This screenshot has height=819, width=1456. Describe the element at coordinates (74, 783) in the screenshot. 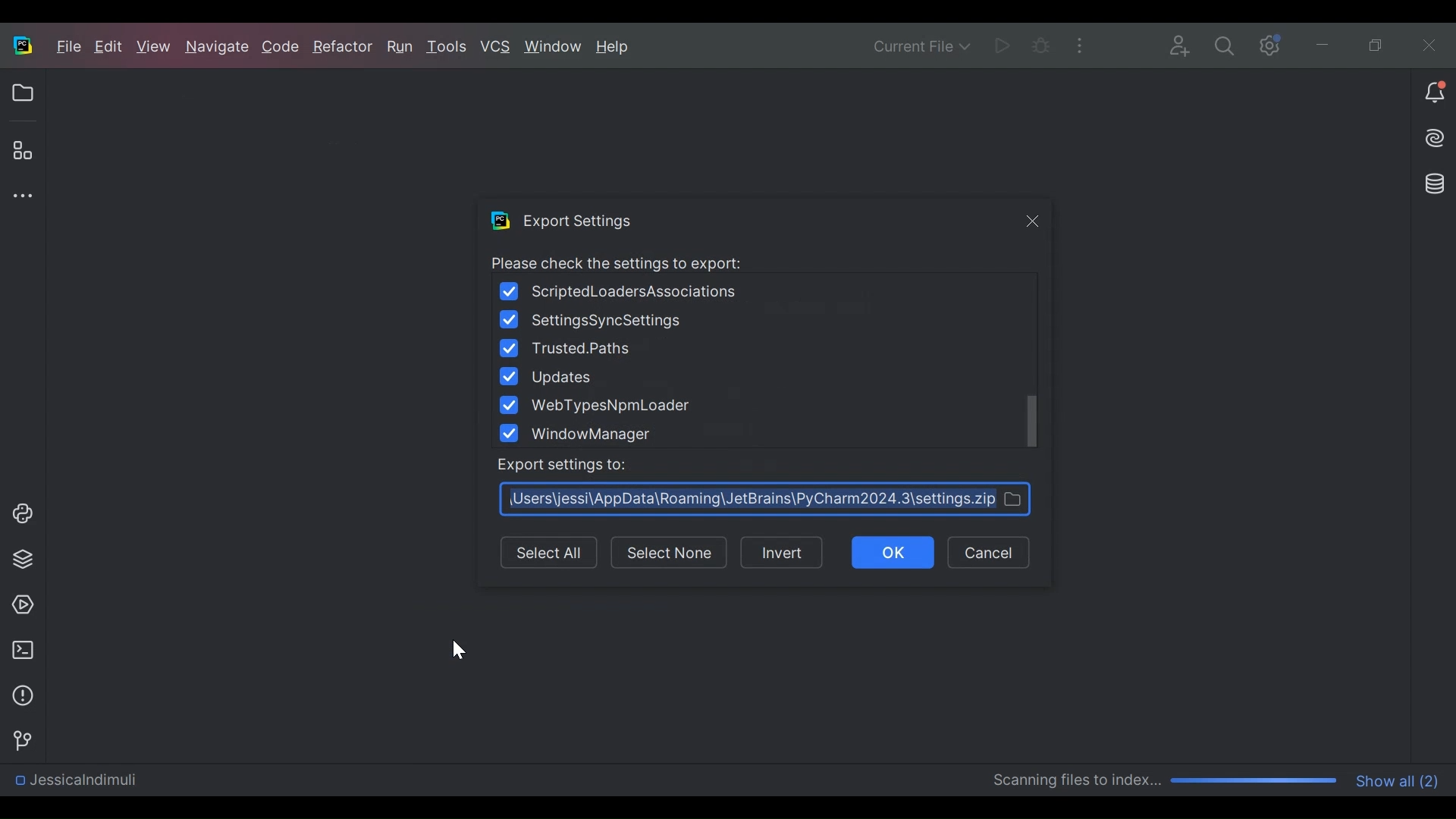

I see `Directory` at that location.